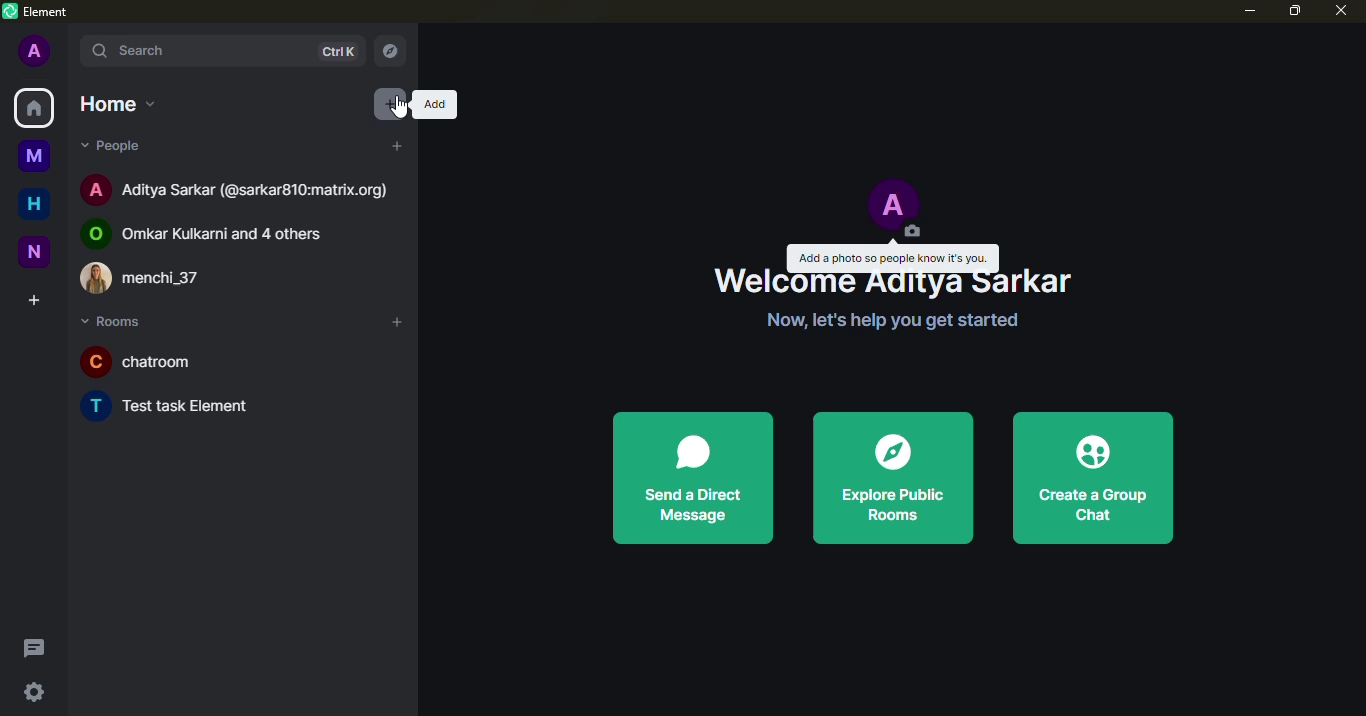  Describe the element at coordinates (37, 300) in the screenshot. I see `create space` at that location.